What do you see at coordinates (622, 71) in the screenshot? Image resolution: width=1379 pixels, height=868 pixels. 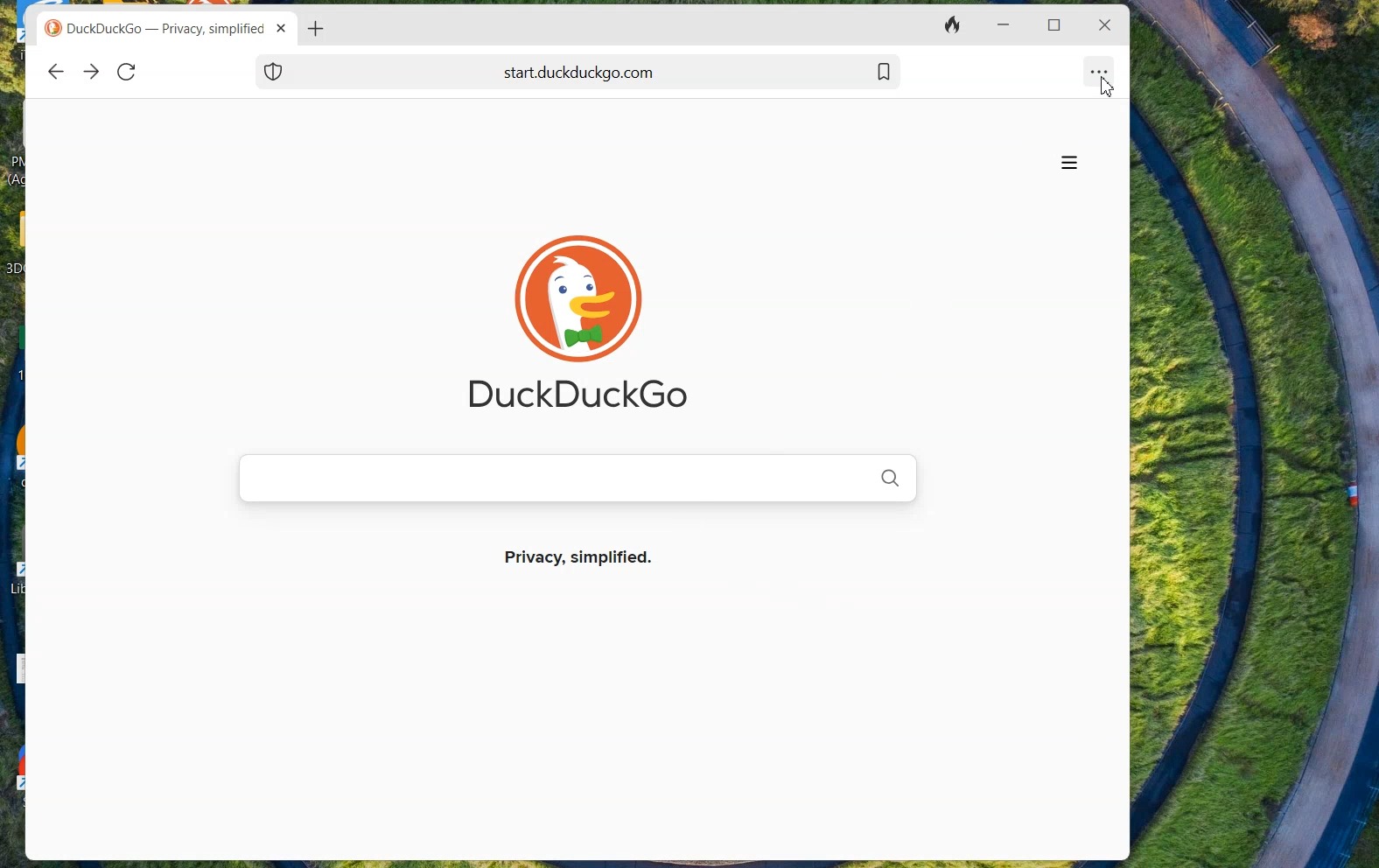 I see `start. duckduckgo.com` at bounding box center [622, 71].